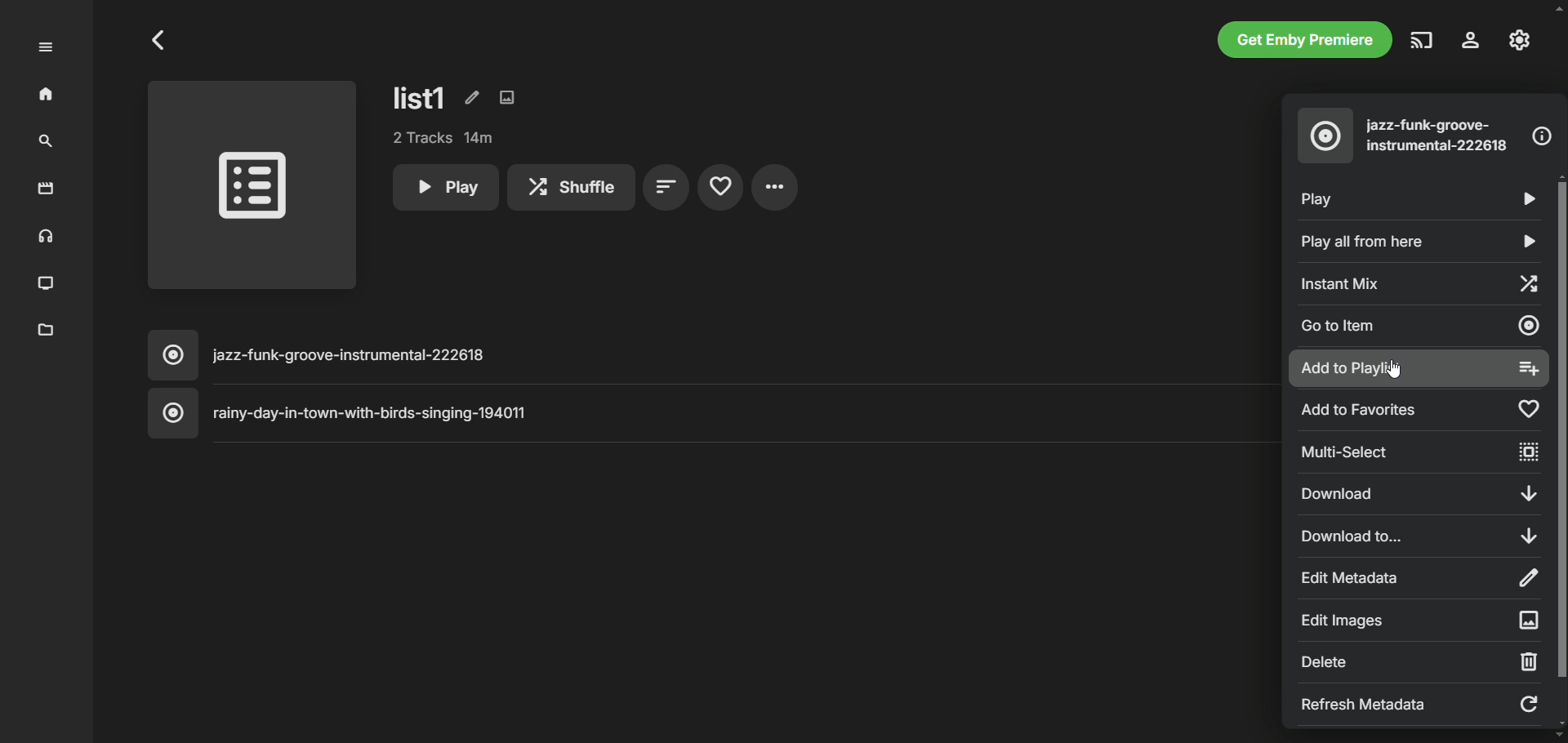 This screenshot has width=1568, height=743. What do you see at coordinates (1560, 450) in the screenshot?
I see `Vertical slide bar` at bounding box center [1560, 450].